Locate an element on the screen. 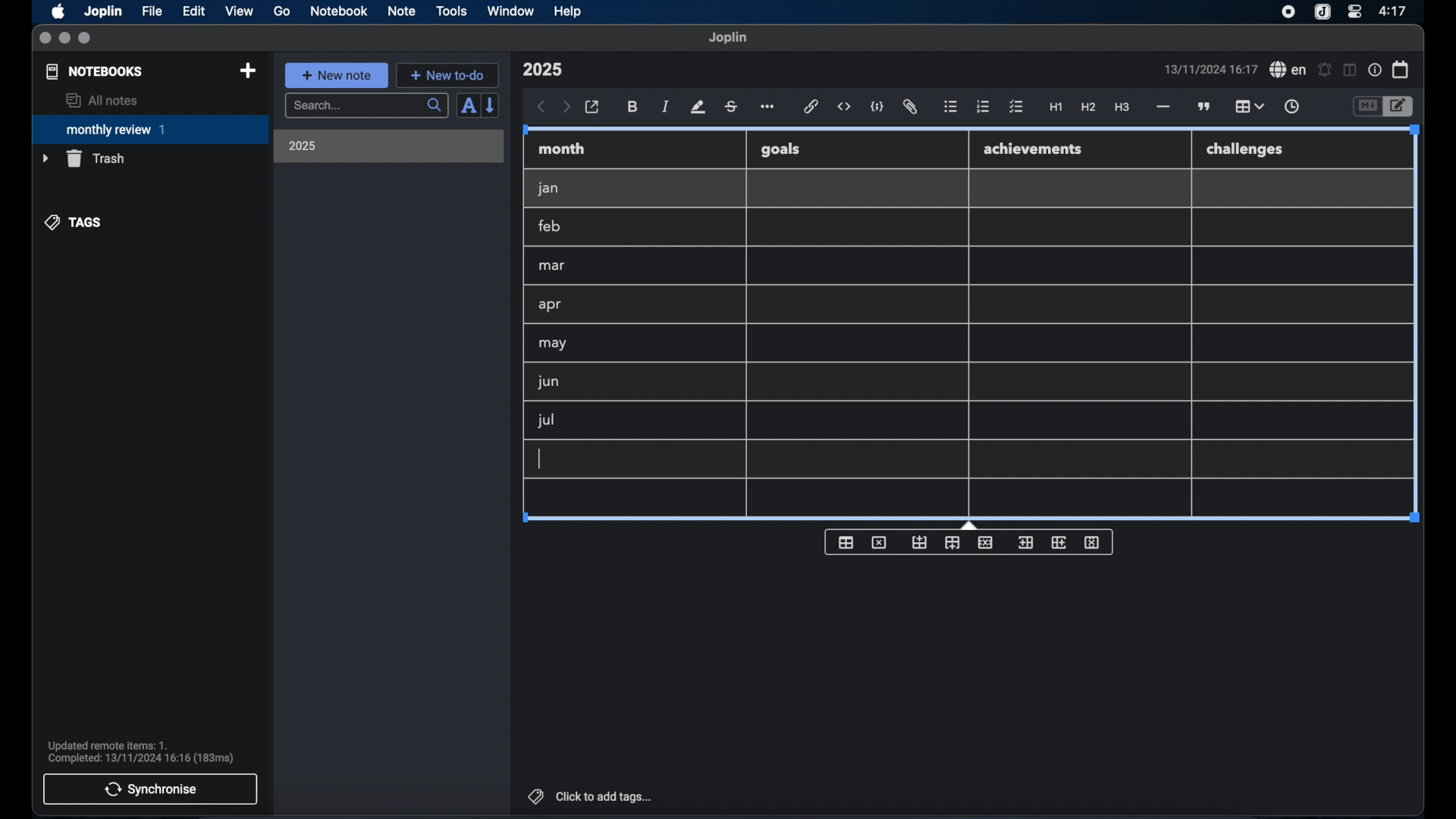 The width and height of the screenshot is (1456, 819). note properties is located at coordinates (1375, 71).